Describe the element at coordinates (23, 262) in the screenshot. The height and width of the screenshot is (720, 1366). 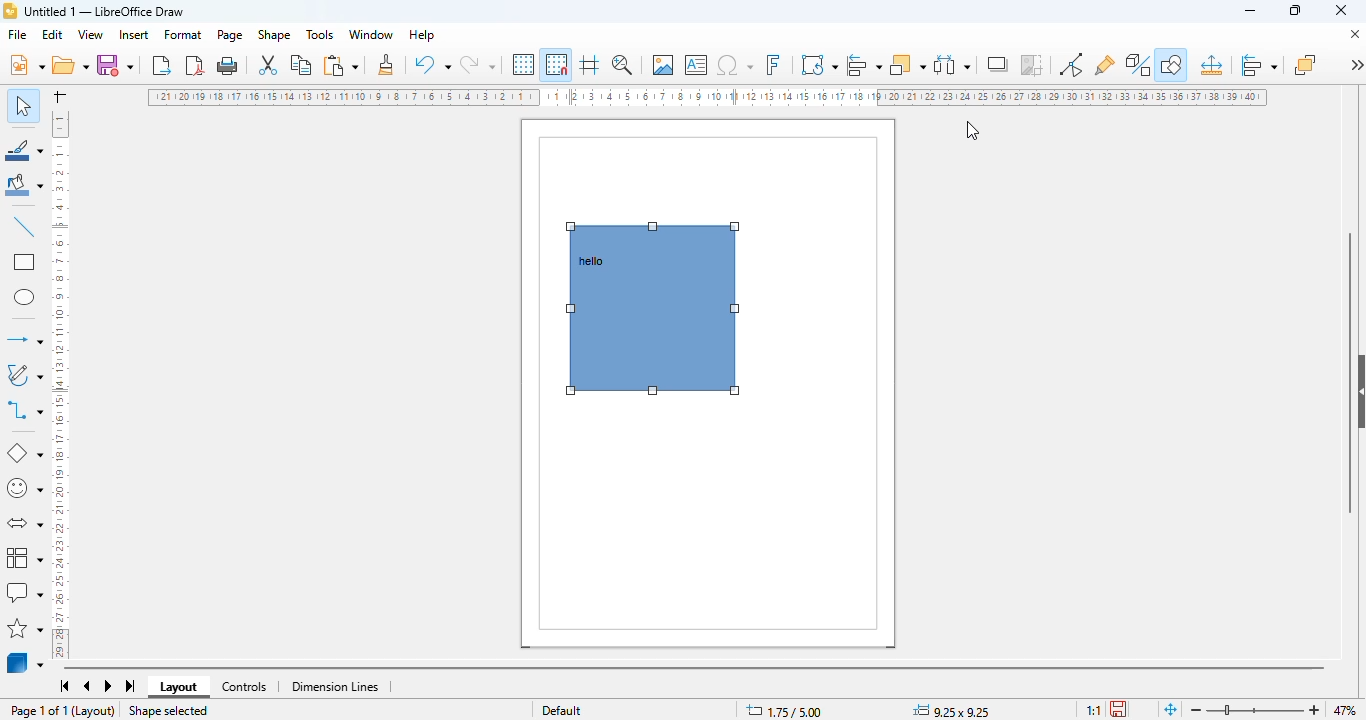
I see `rectangle` at that location.